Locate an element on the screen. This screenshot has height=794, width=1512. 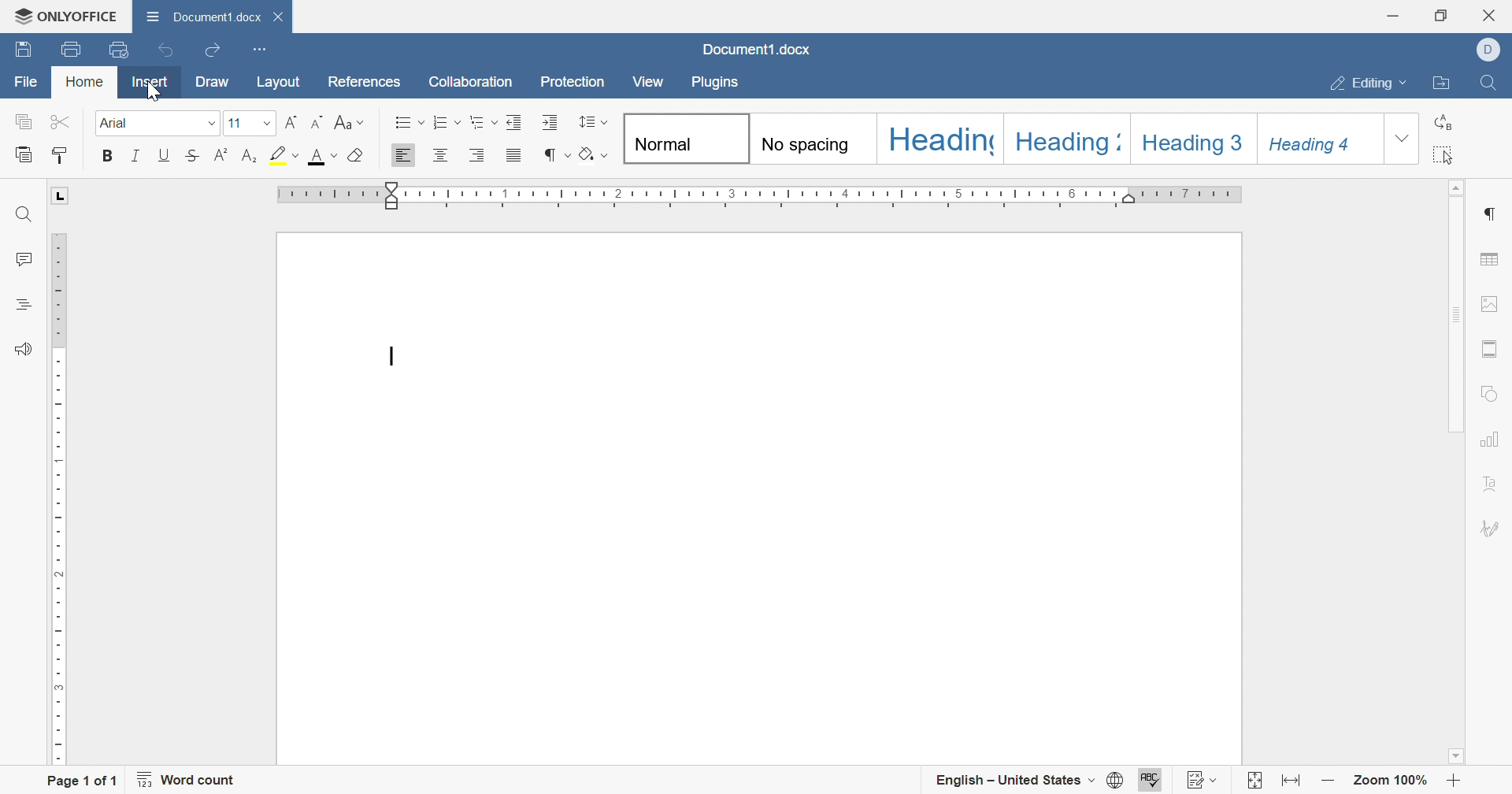
Scroll up is located at coordinates (1458, 185).